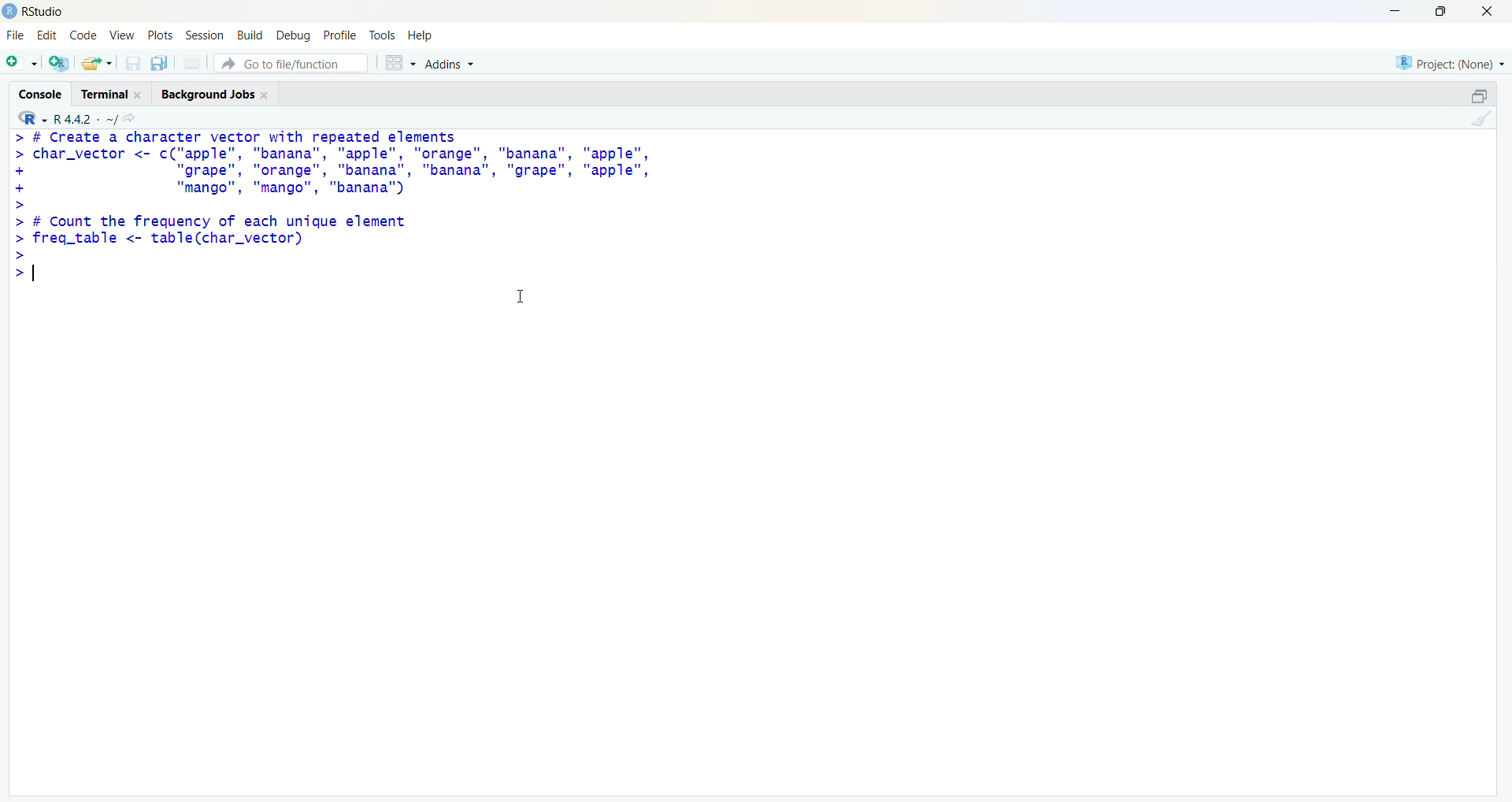 The width and height of the screenshot is (1512, 802). Describe the element at coordinates (426, 37) in the screenshot. I see `Help` at that location.